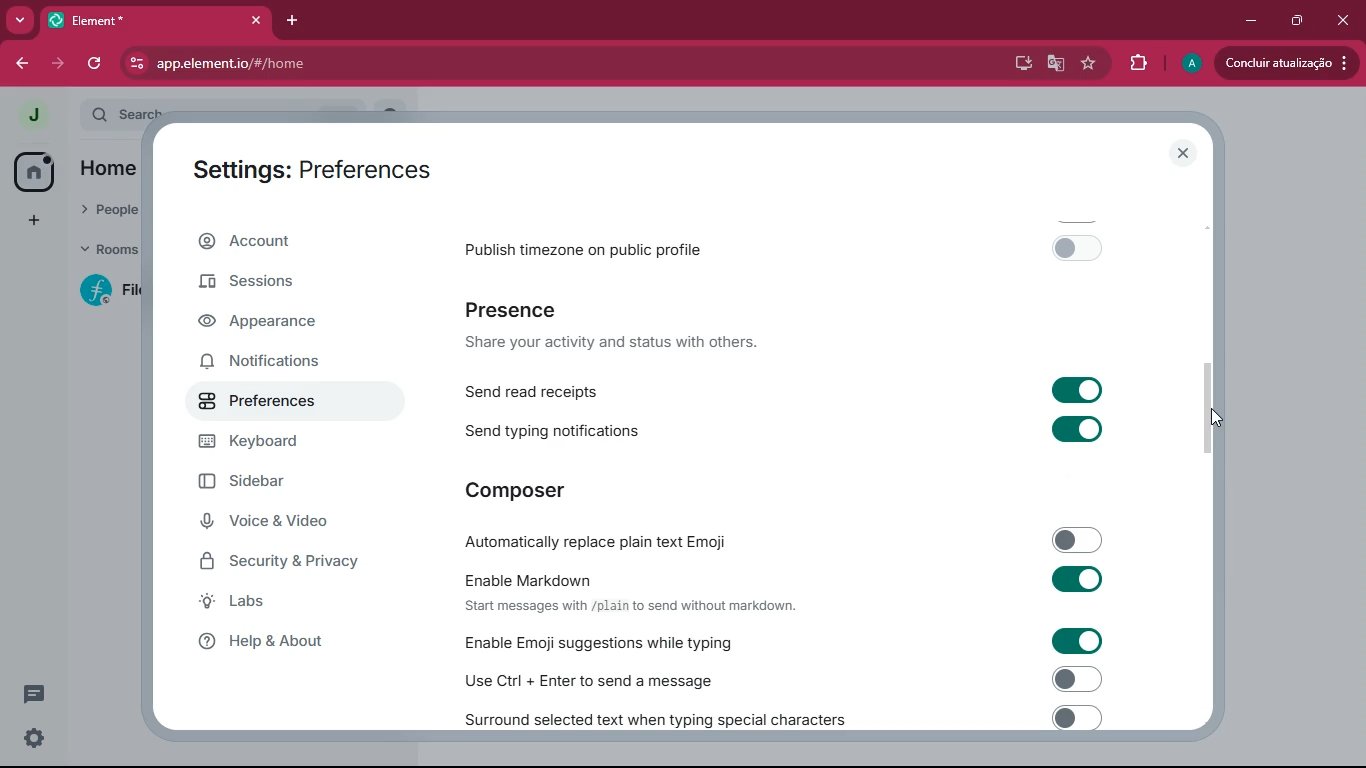 The height and width of the screenshot is (768, 1366). I want to click on desktop, so click(1017, 64).